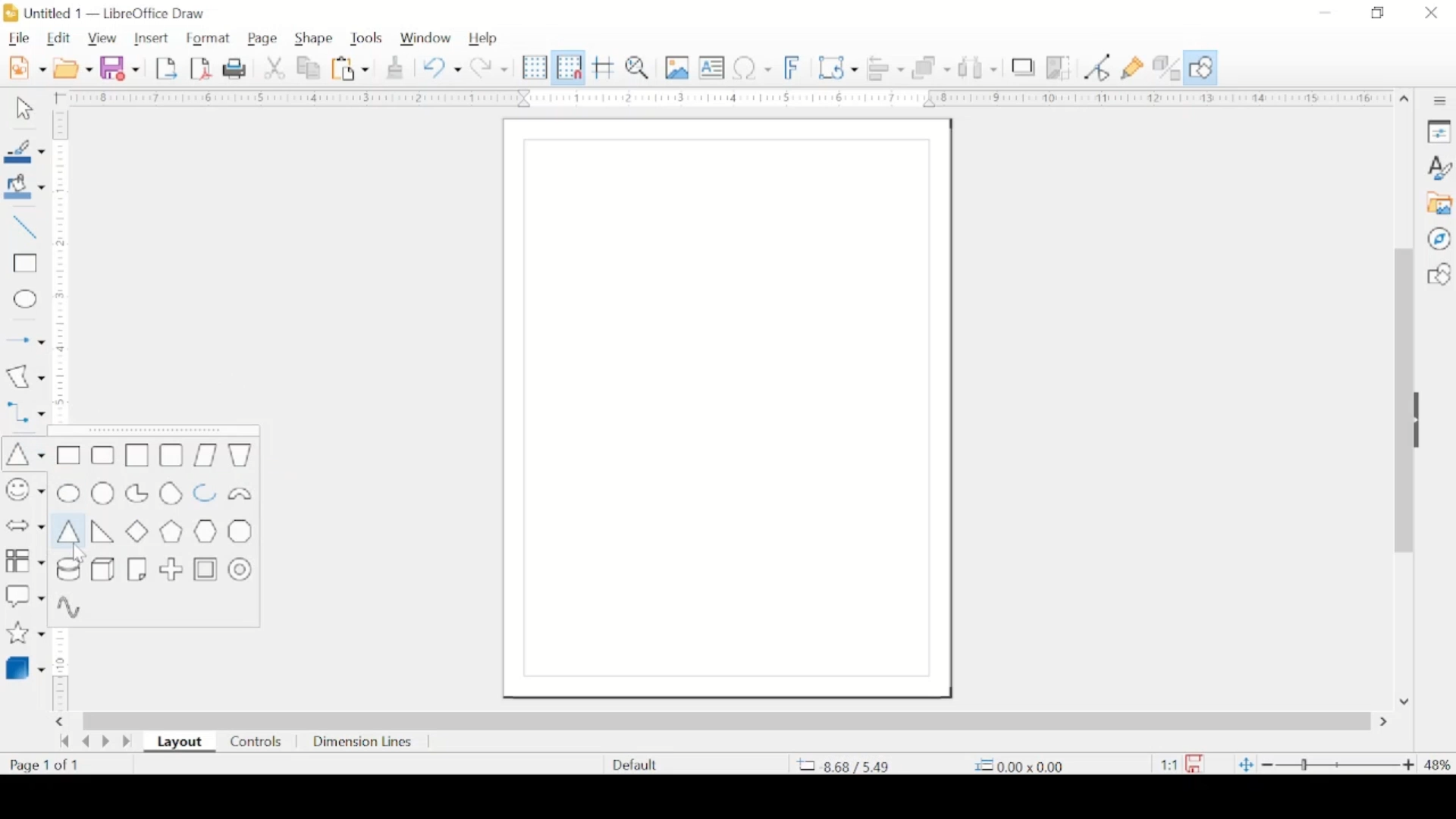  I want to click on toggle point edit mode, so click(1097, 67).